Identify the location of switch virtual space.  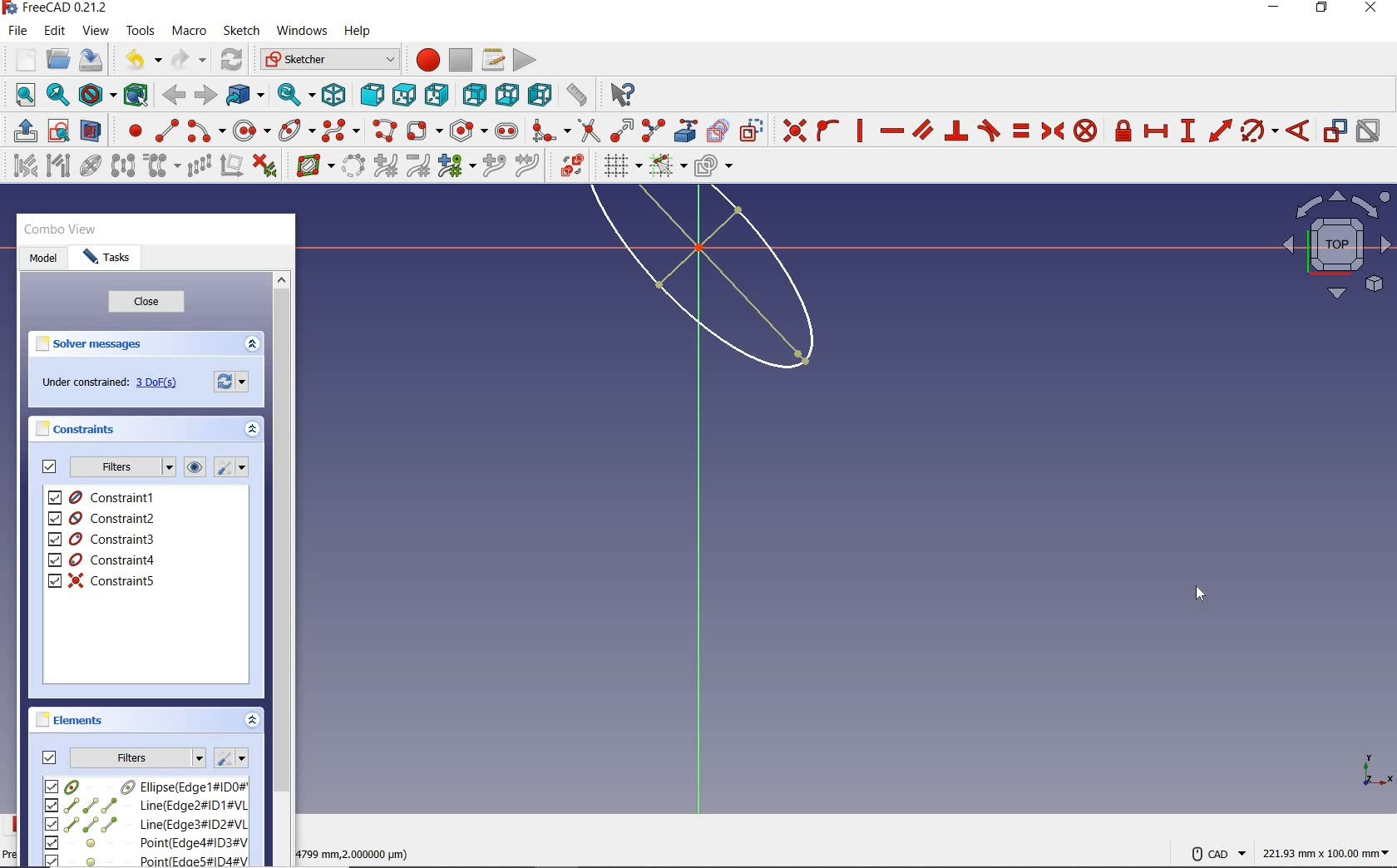
(571, 165).